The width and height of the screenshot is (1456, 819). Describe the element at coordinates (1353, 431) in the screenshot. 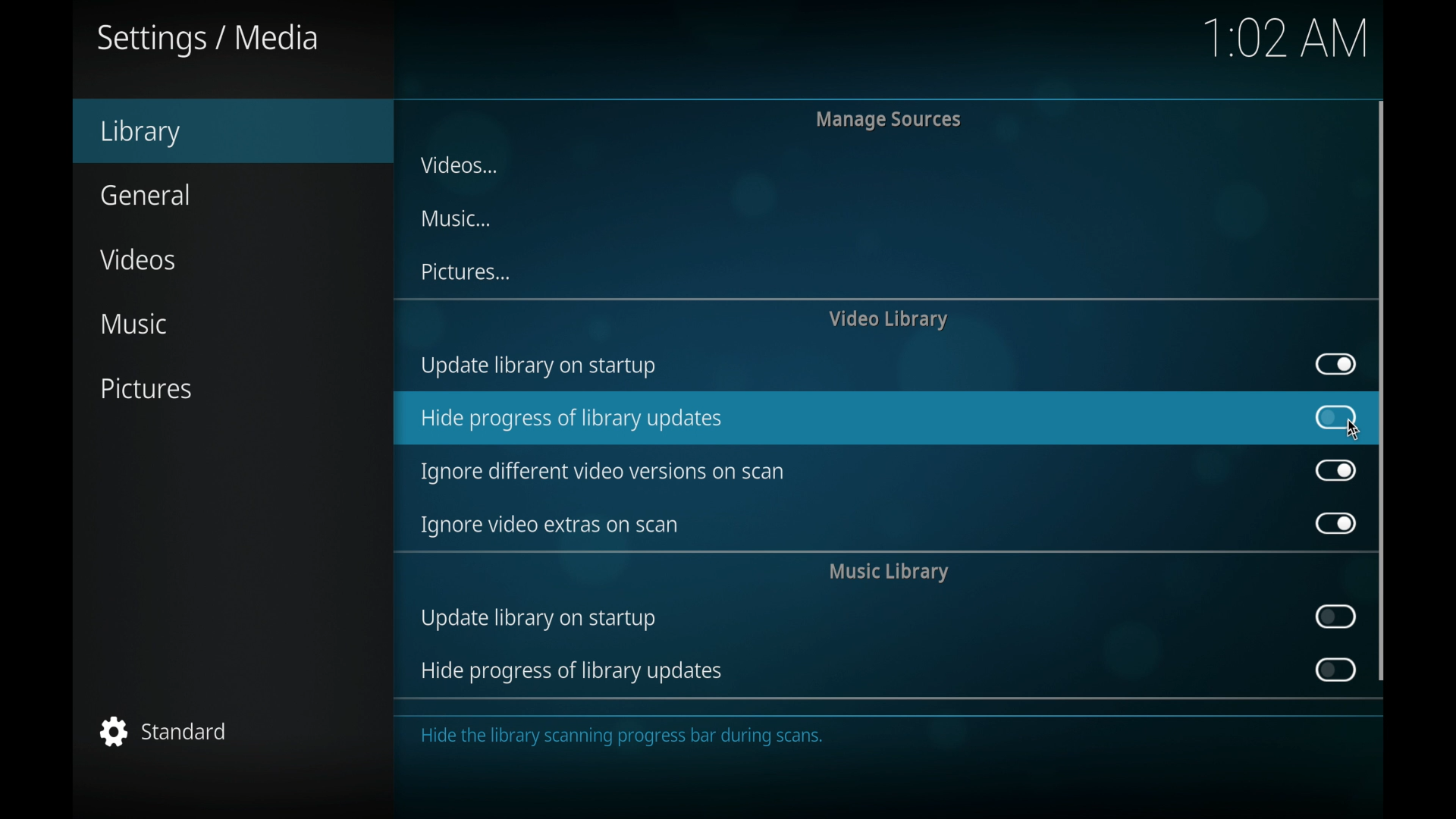

I see `cursor` at that location.